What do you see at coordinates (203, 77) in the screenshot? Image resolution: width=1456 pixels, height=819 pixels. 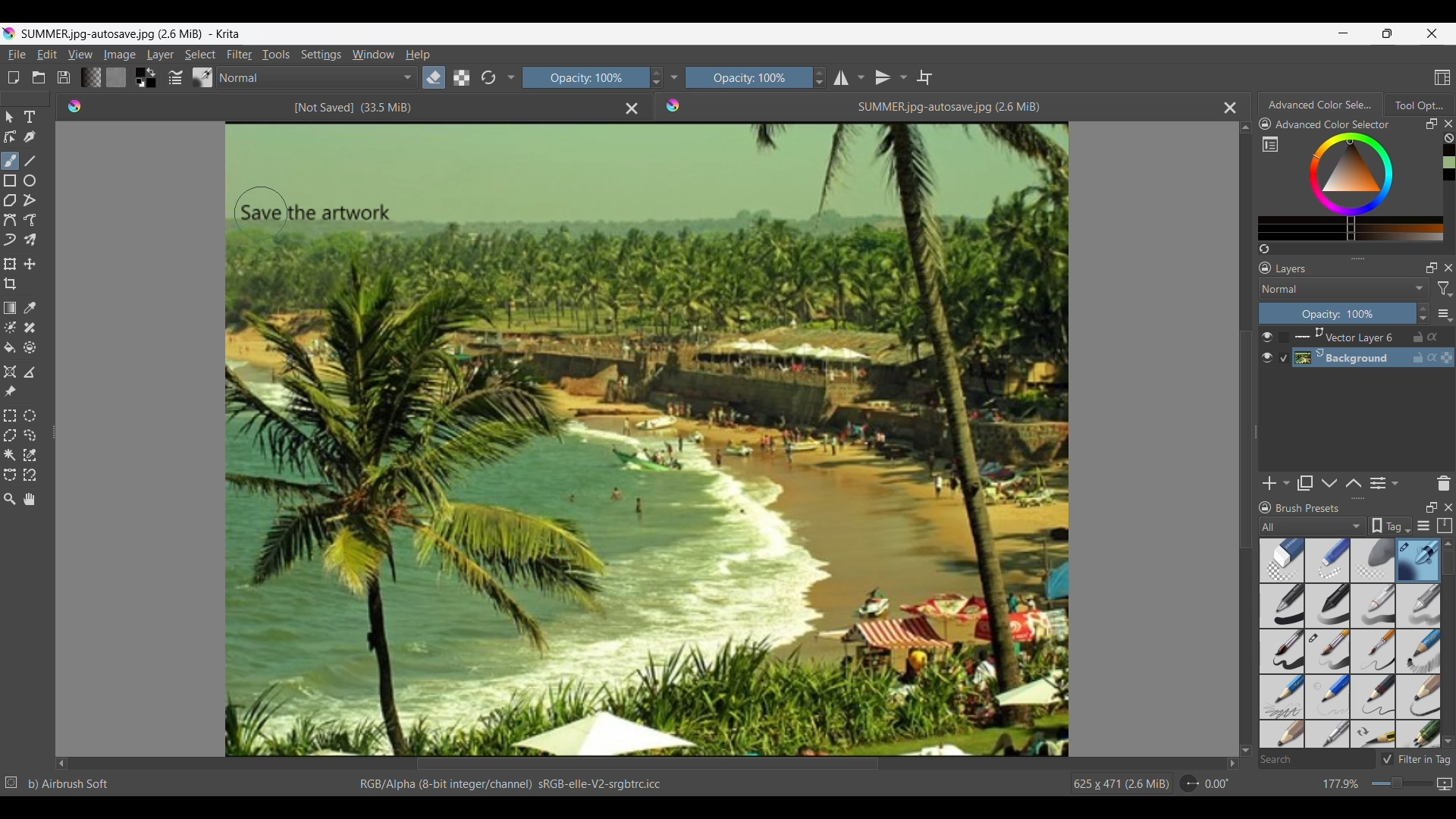 I see `Choose brush preset` at bounding box center [203, 77].